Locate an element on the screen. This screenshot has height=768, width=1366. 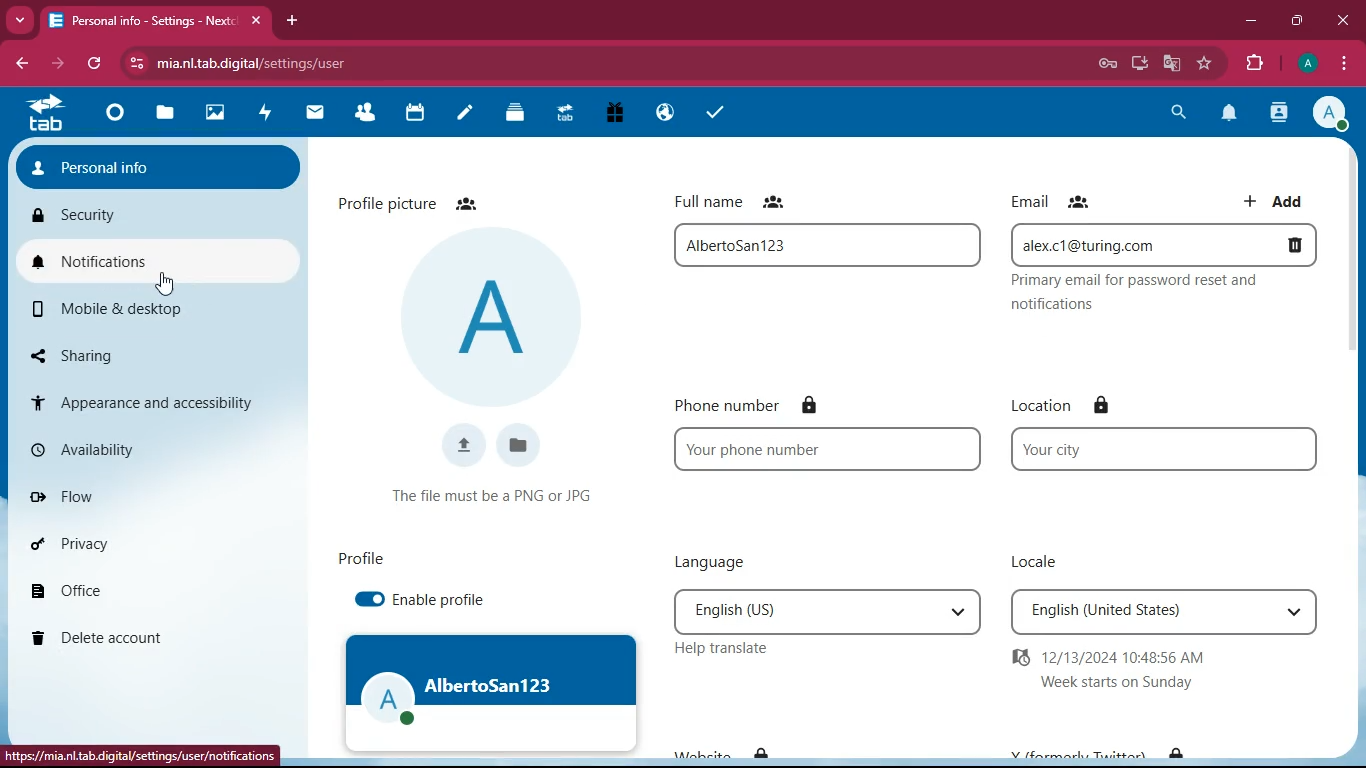
Contacts is located at coordinates (368, 114).